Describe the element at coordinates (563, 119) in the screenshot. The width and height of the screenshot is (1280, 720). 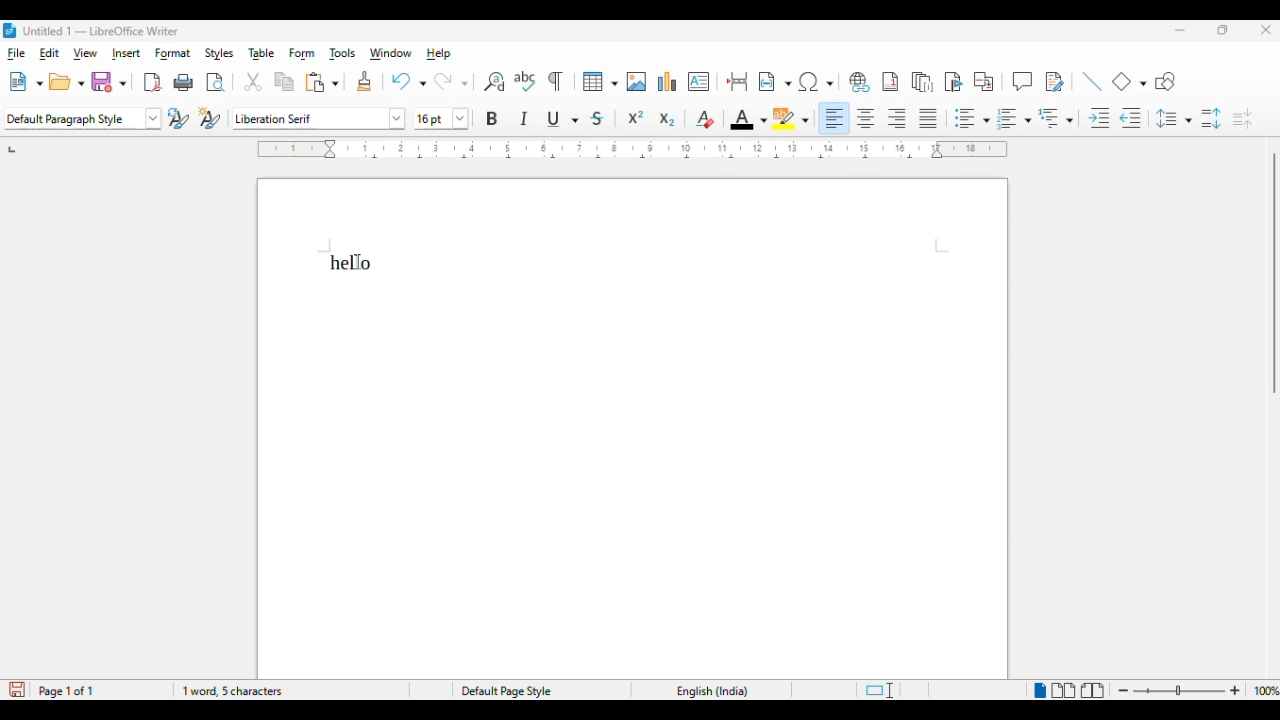
I see `underline` at that location.